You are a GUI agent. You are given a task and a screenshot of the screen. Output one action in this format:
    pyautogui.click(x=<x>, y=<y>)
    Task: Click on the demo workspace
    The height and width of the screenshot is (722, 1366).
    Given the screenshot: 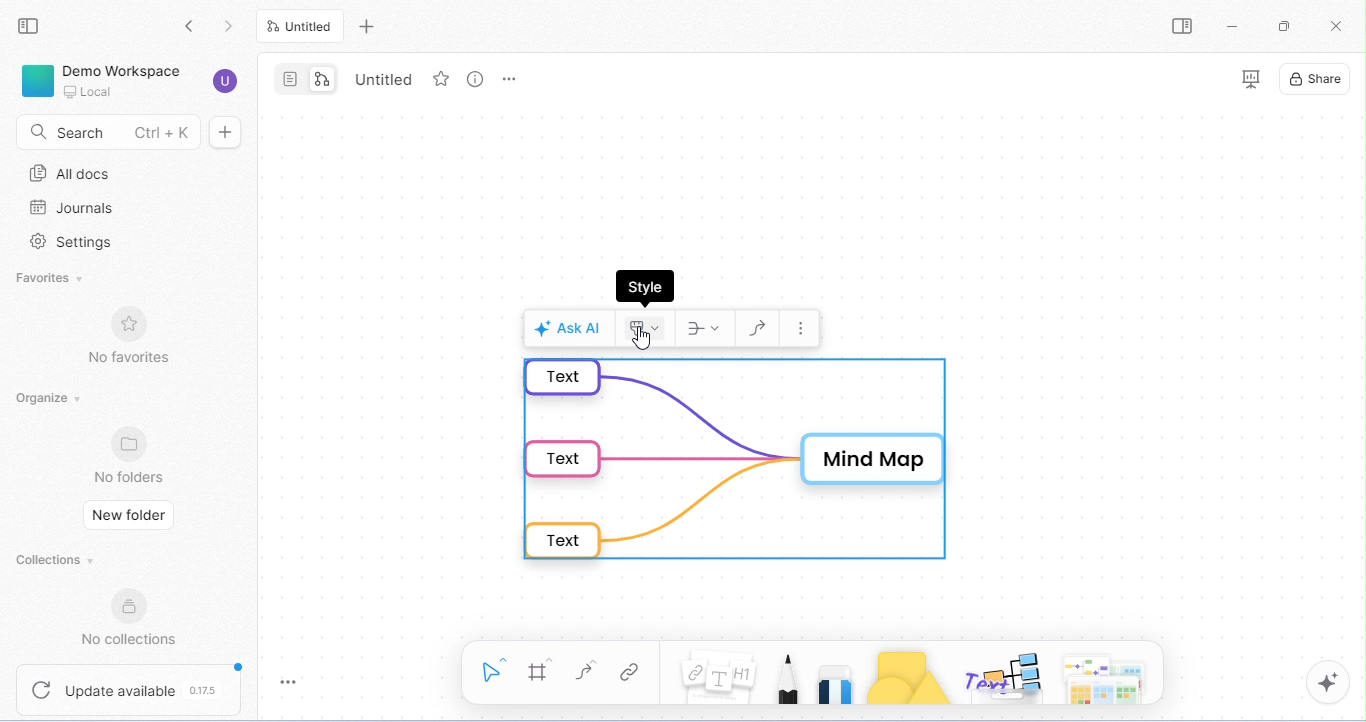 What is the action you would take?
    pyautogui.click(x=103, y=80)
    